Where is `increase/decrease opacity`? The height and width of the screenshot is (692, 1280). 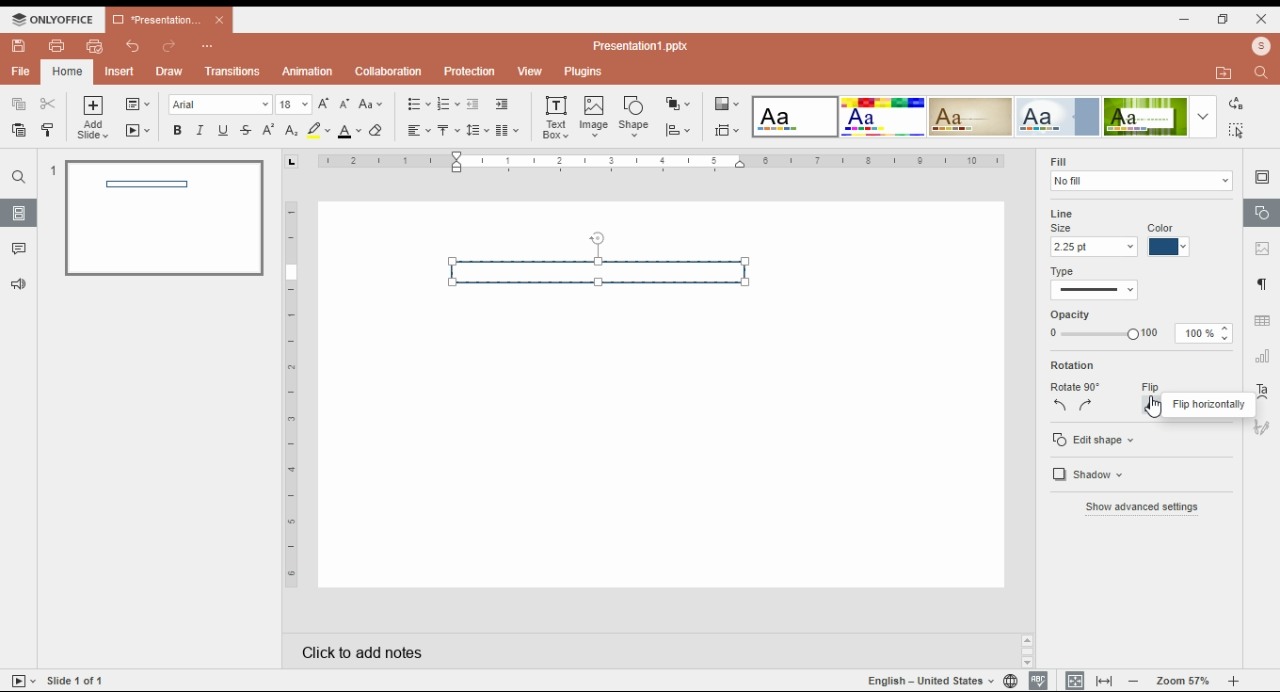 increase/decrease opacity is located at coordinates (1225, 333).